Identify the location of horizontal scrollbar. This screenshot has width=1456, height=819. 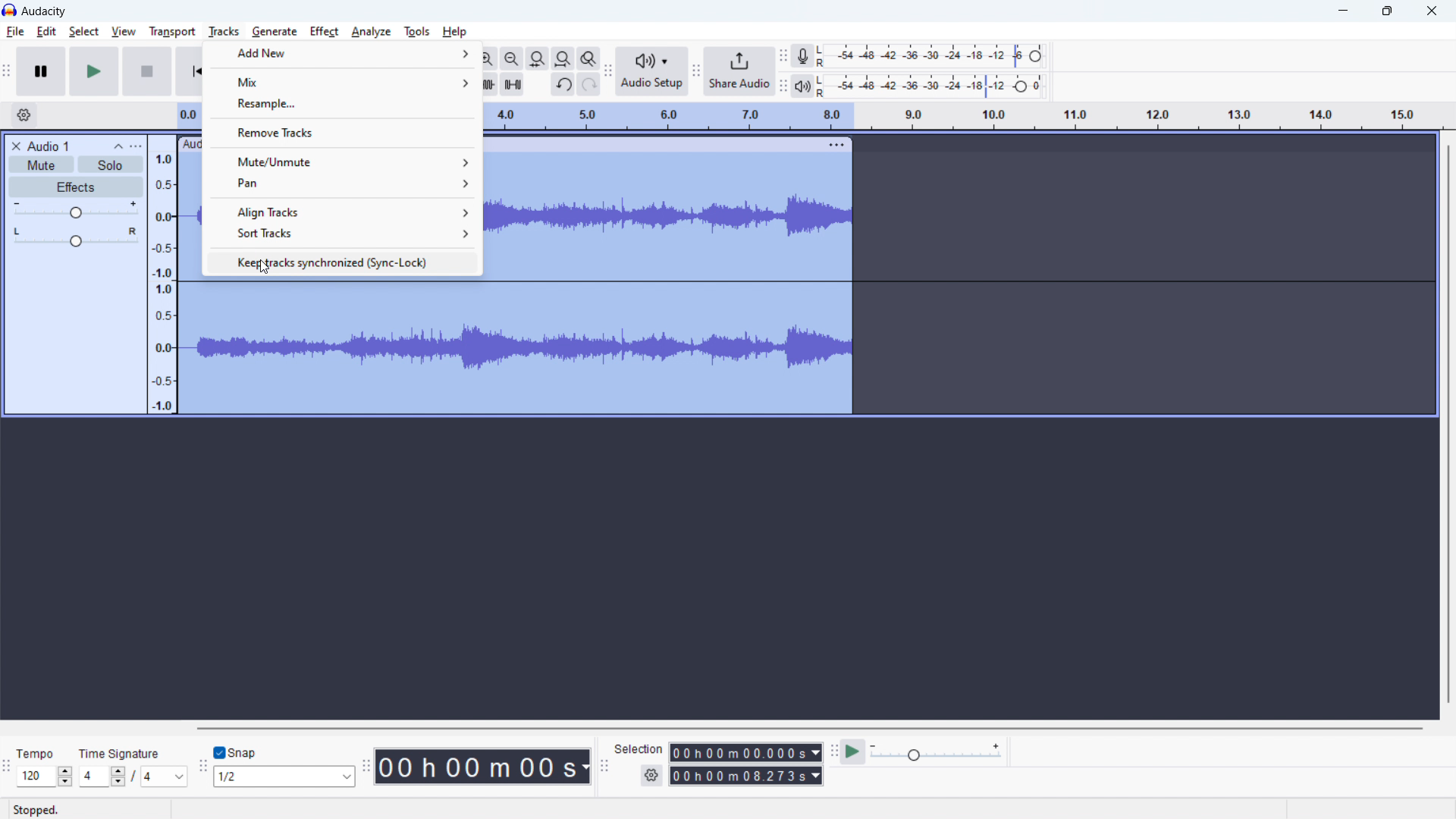
(808, 727).